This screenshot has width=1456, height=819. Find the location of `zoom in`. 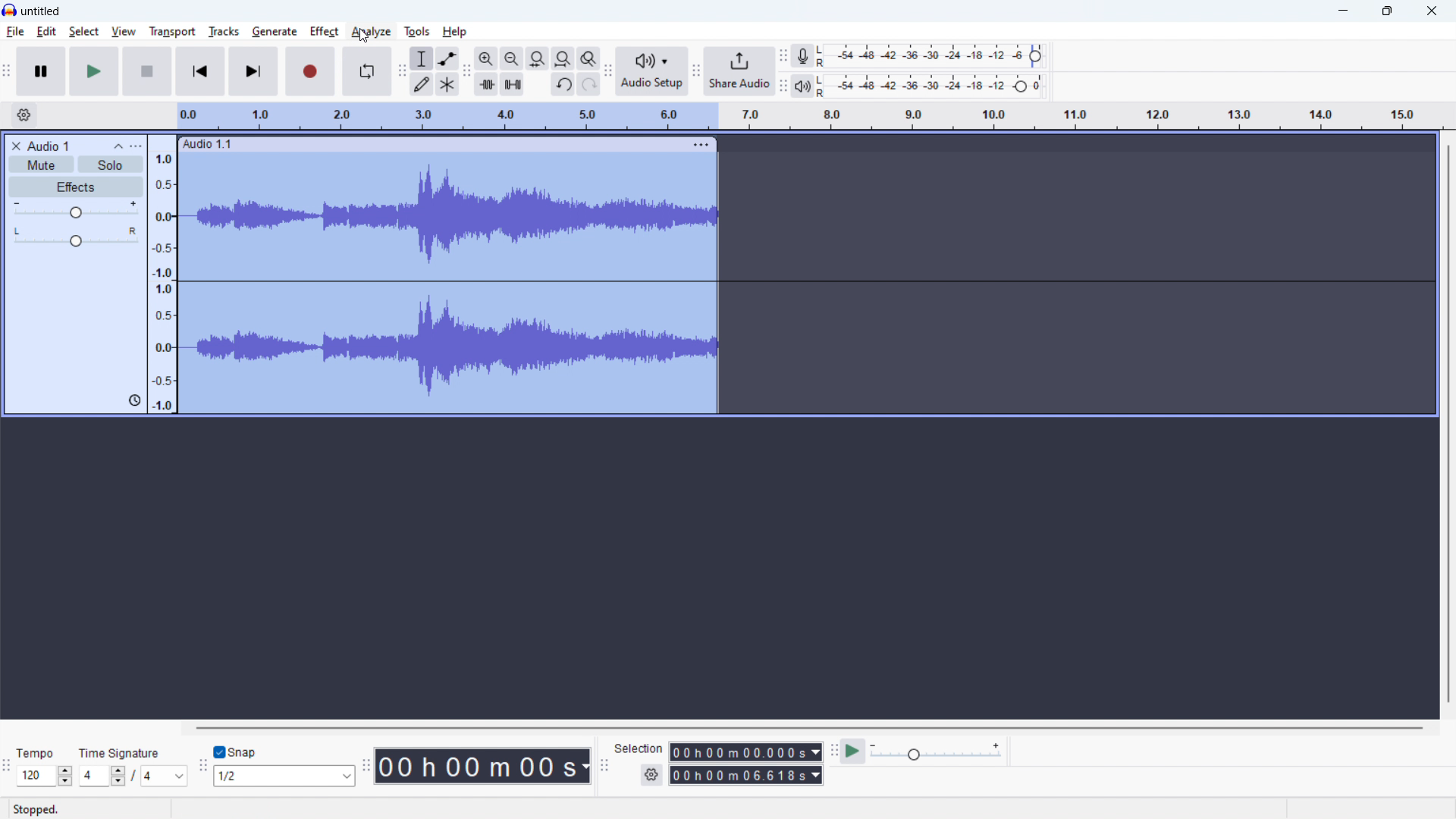

zoom in is located at coordinates (486, 58).